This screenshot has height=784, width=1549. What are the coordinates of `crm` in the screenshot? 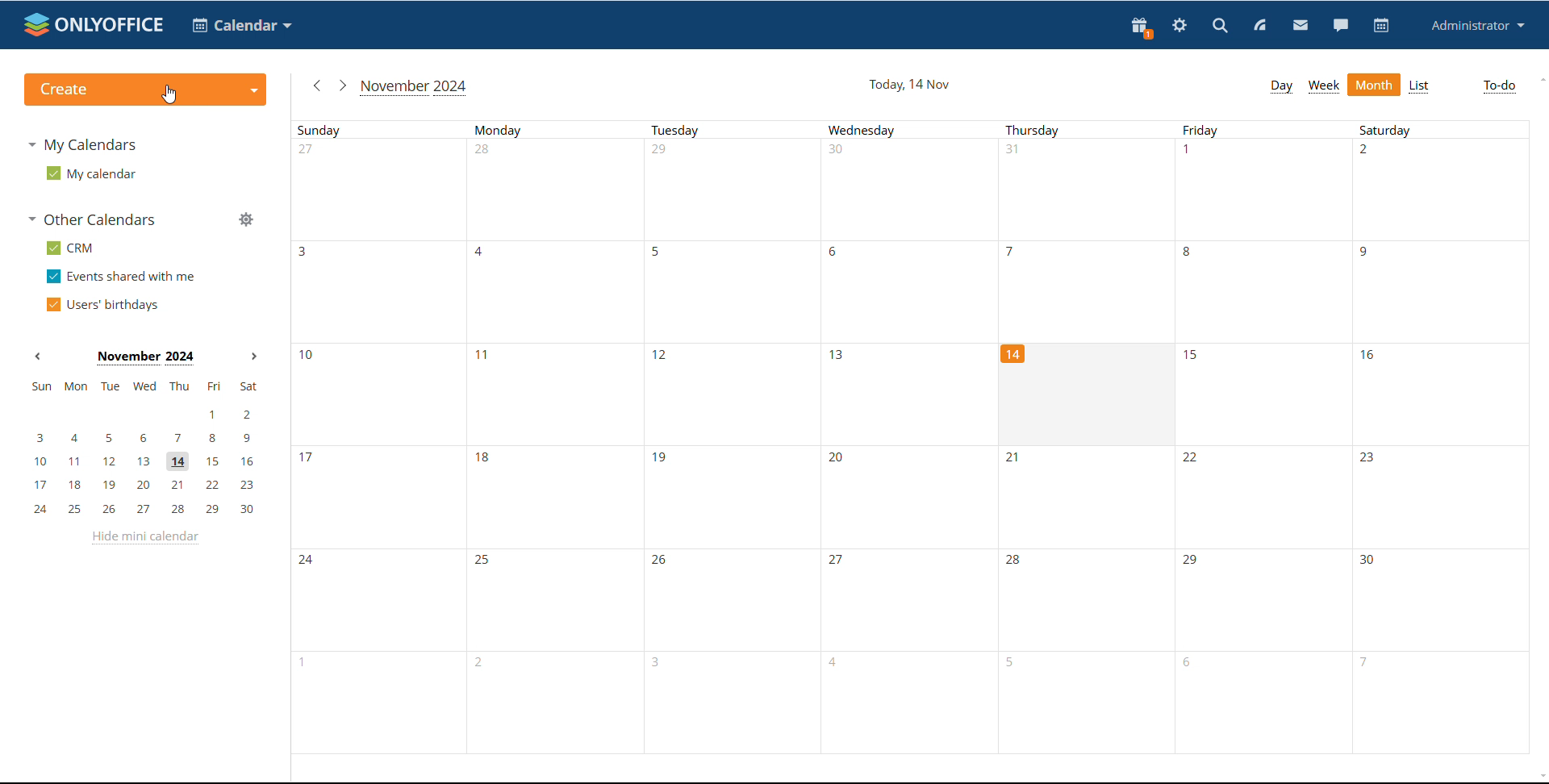 It's located at (71, 248).